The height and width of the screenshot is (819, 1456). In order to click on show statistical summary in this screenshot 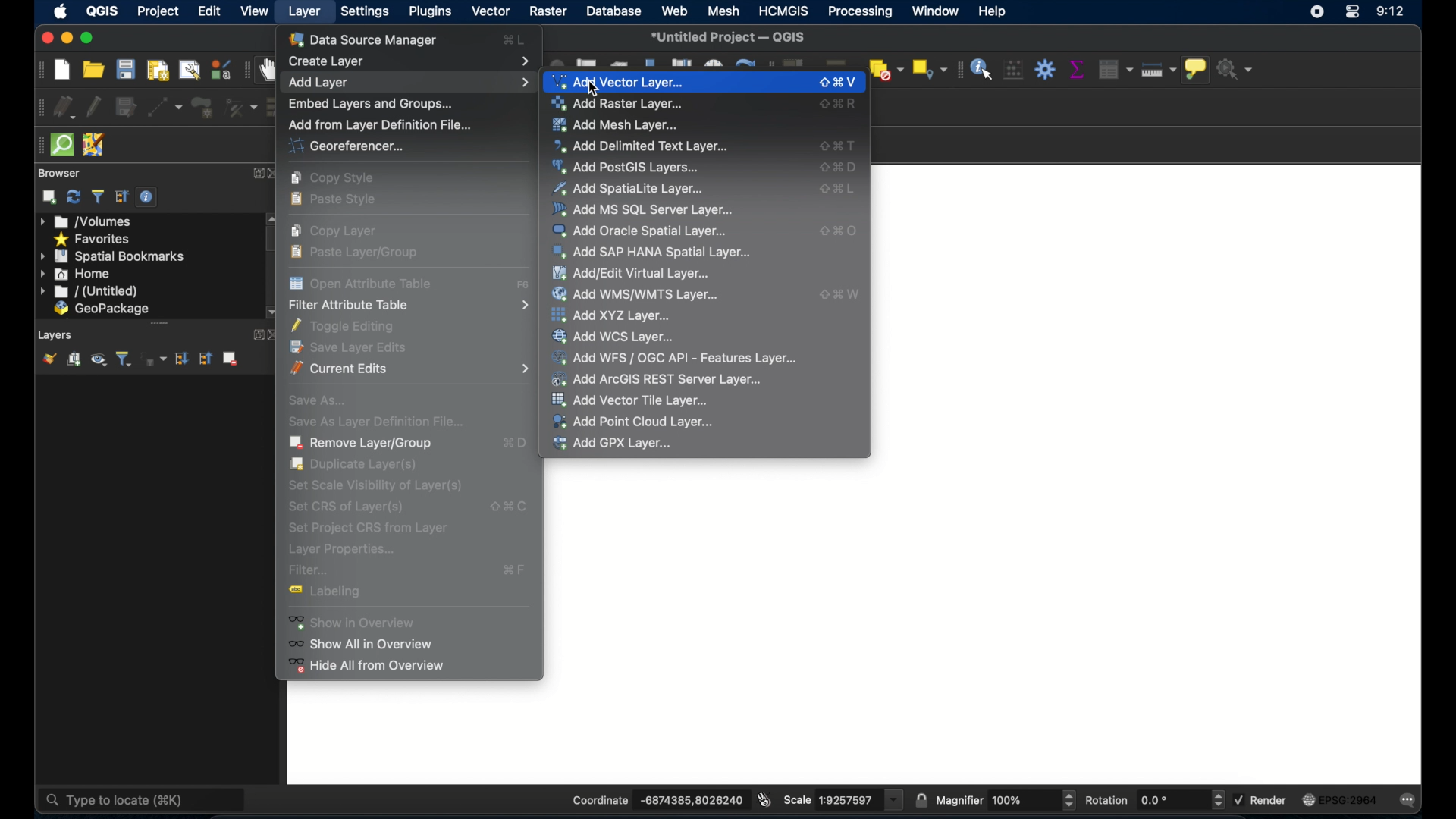, I will do `click(1076, 67)`.